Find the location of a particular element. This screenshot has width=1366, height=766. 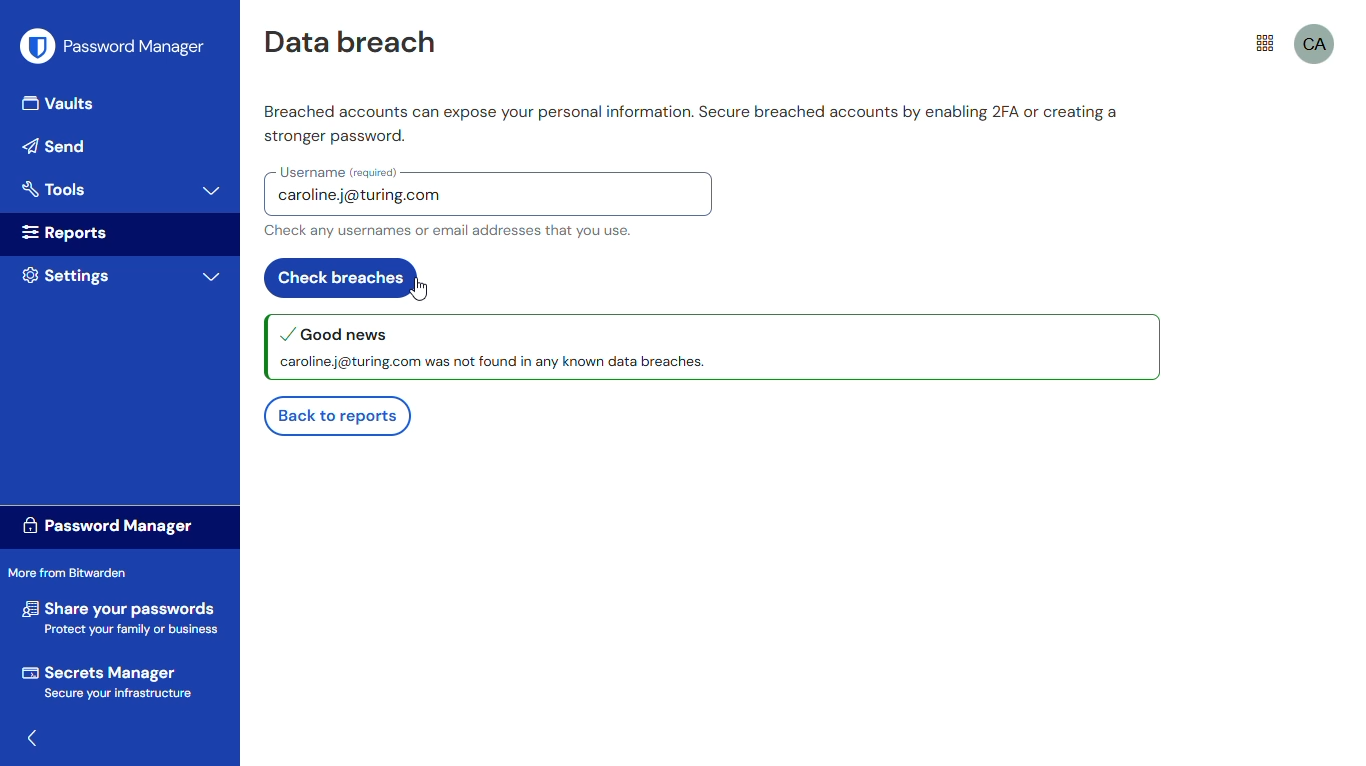

more from bitwarden is located at coordinates (67, 571).